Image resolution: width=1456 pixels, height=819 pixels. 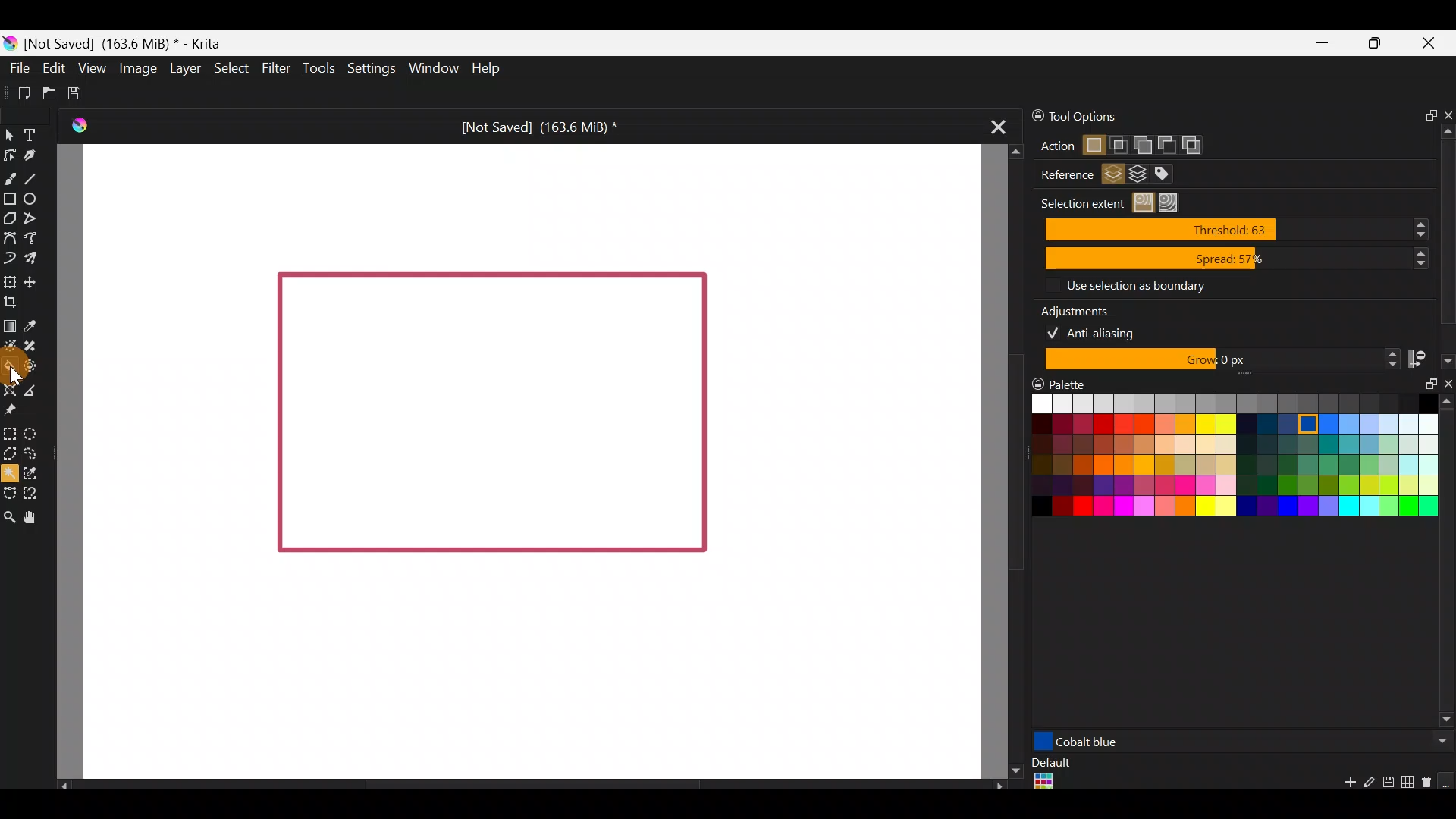 I want to click on Close docker, so click(x=1446, y=387).